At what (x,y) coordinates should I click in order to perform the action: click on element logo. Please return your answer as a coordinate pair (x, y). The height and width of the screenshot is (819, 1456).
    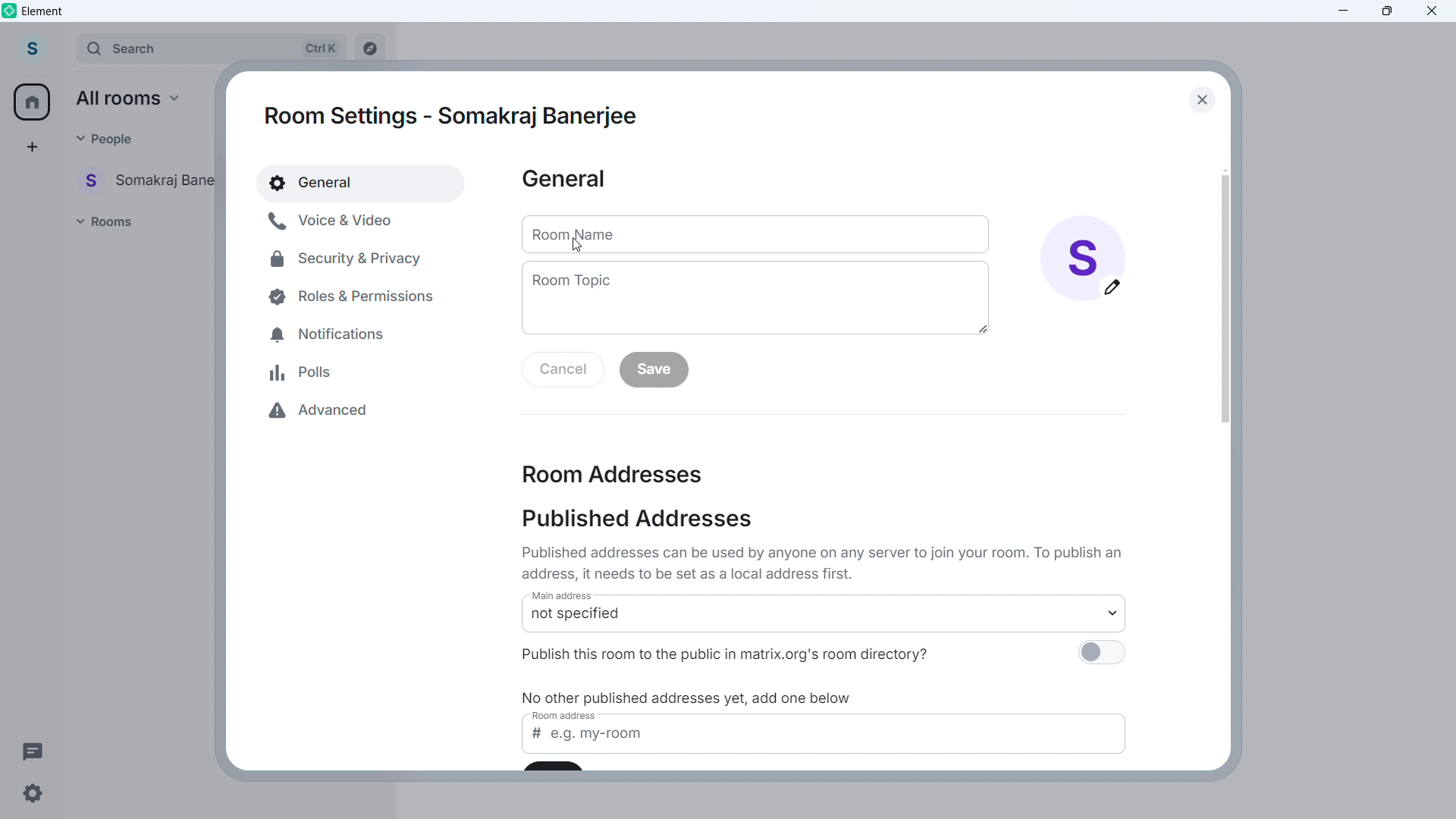
    Looking at the image, I should click on (10, 10).